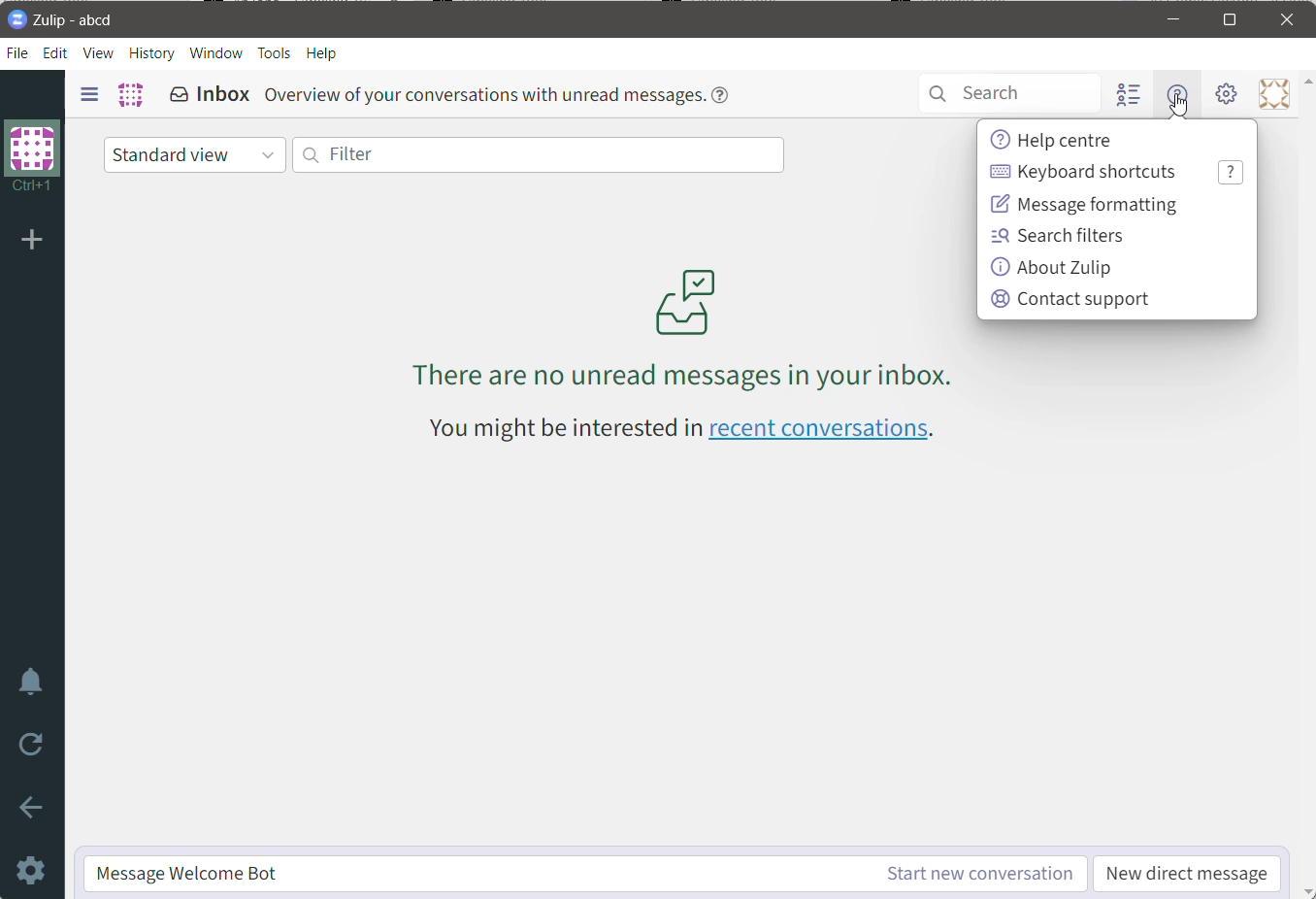 Image resolution: width=1316 pixels, height=899 pixels. Describe the element at coordinates (1308, 484) in the screenshot. I see `Vertical Scroll Bar` at that location.